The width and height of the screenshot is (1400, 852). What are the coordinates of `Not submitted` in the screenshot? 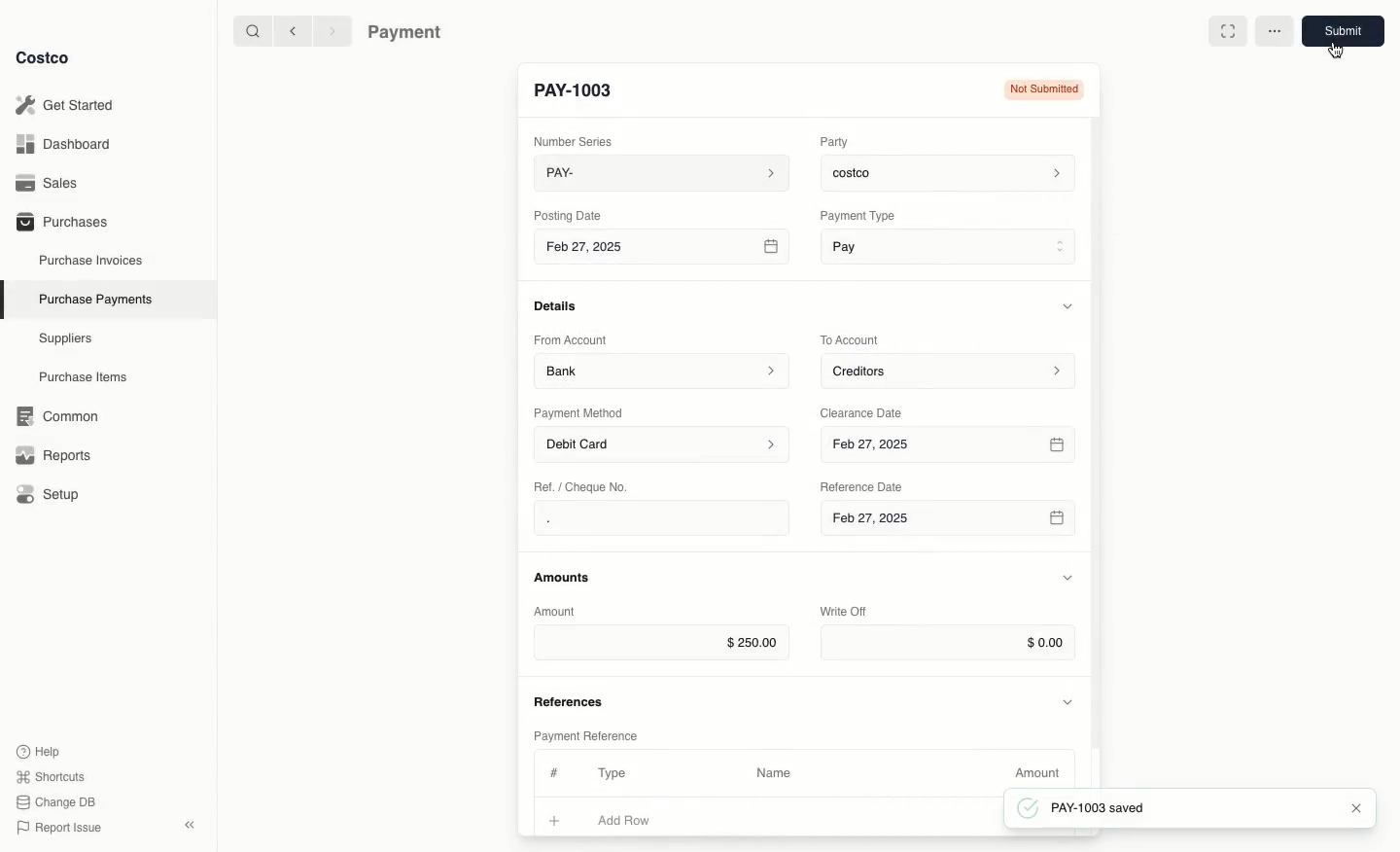 It's located at (1043, 89).